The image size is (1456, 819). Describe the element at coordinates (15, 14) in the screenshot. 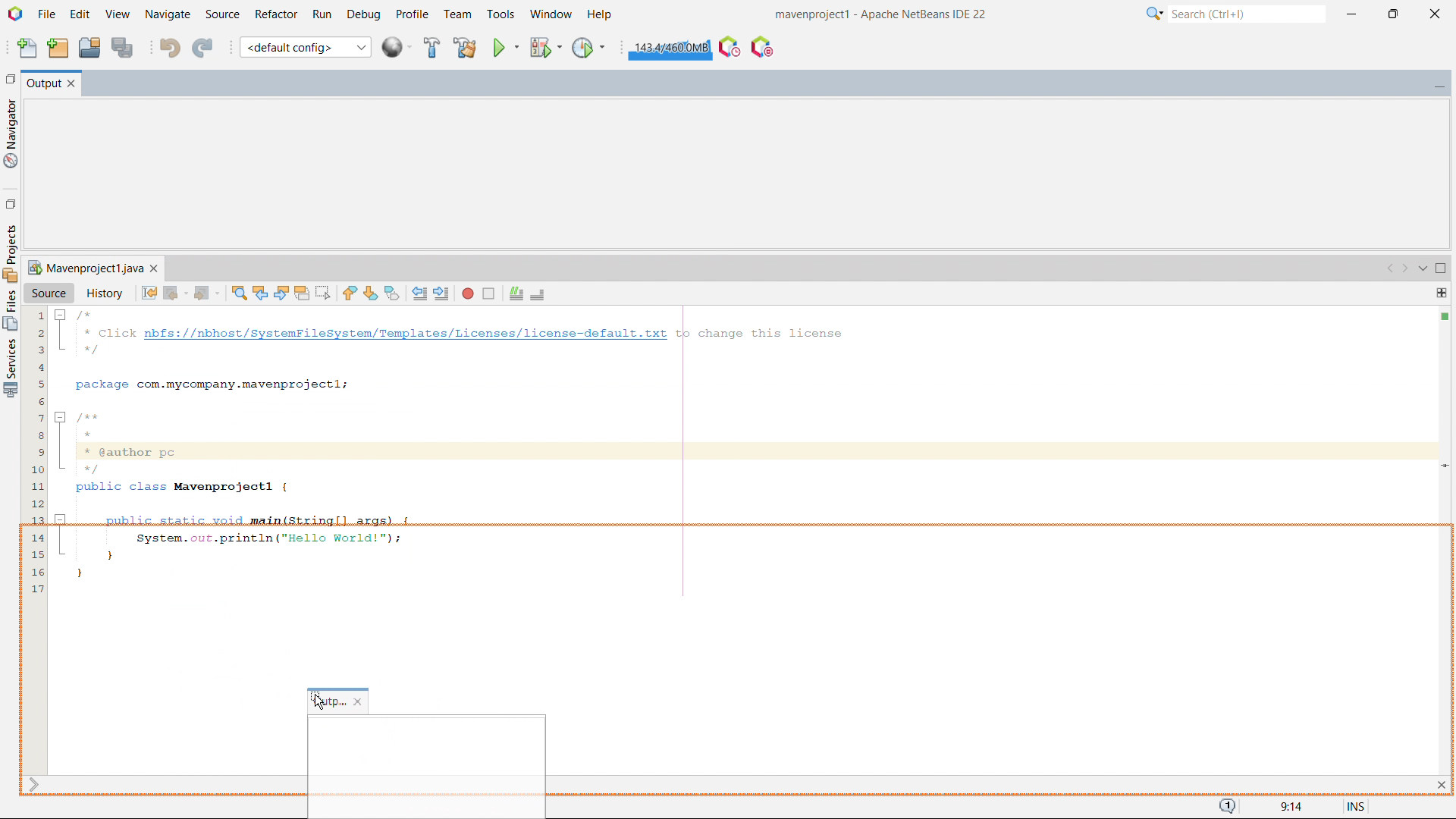

I see `logo` at that location.